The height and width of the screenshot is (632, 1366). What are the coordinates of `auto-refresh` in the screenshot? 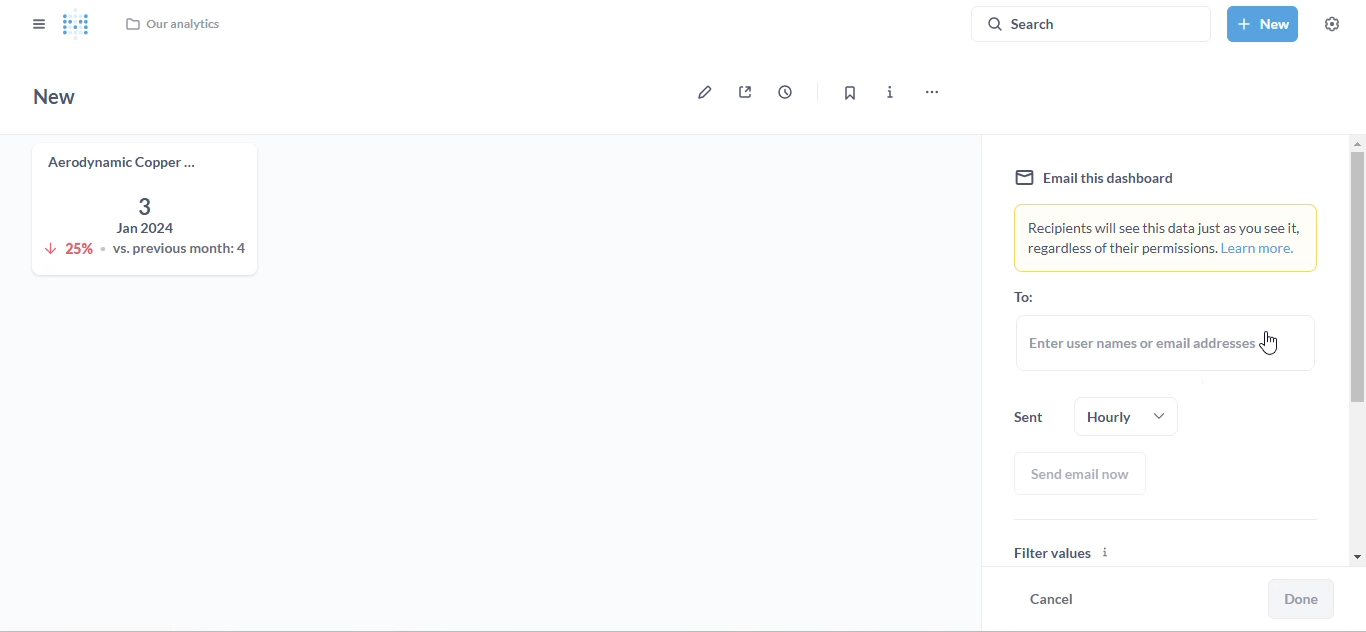 It's located at (785, 91).